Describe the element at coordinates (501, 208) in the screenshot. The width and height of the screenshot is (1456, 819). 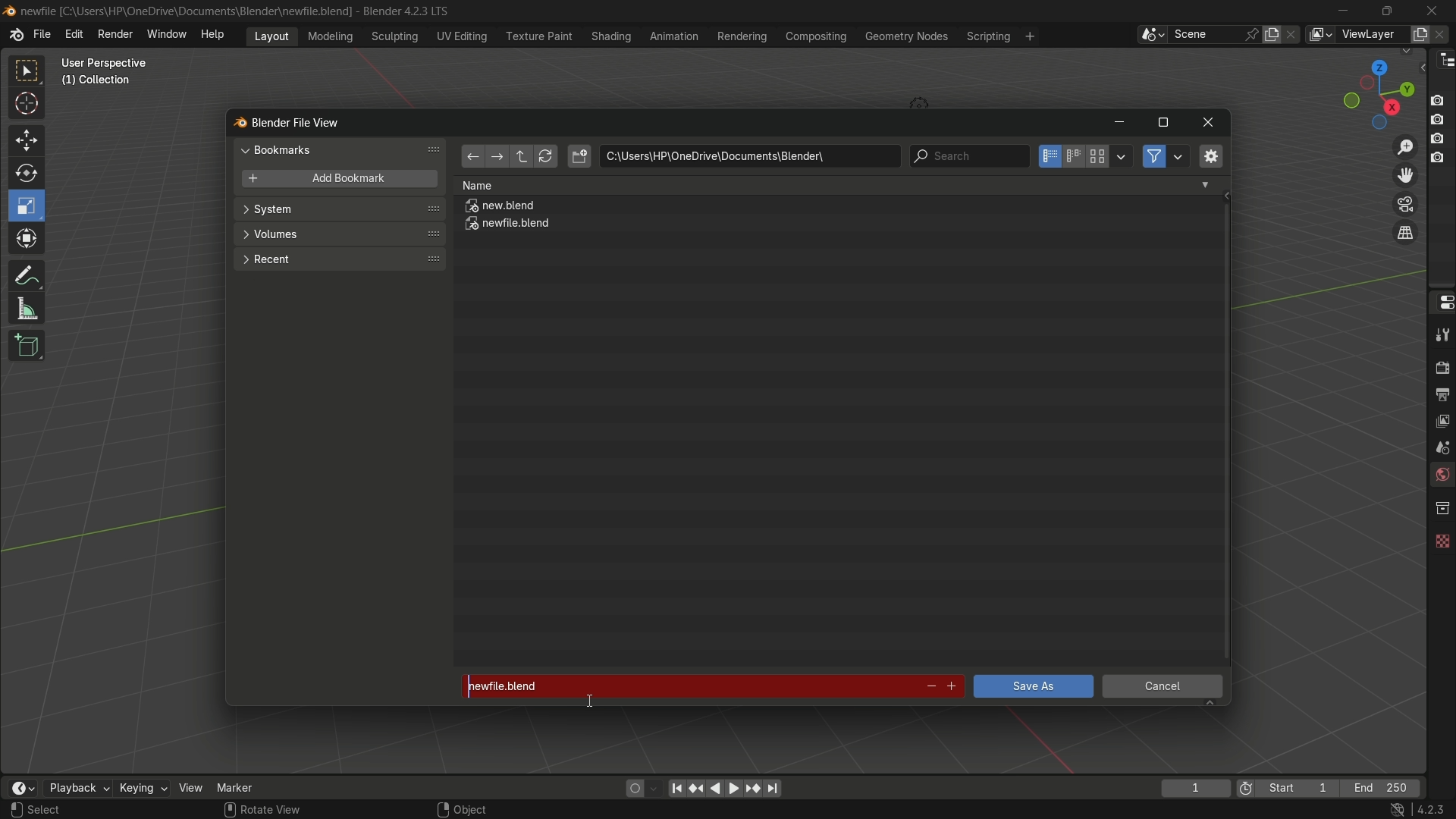
I see `new.blend file` at that location.